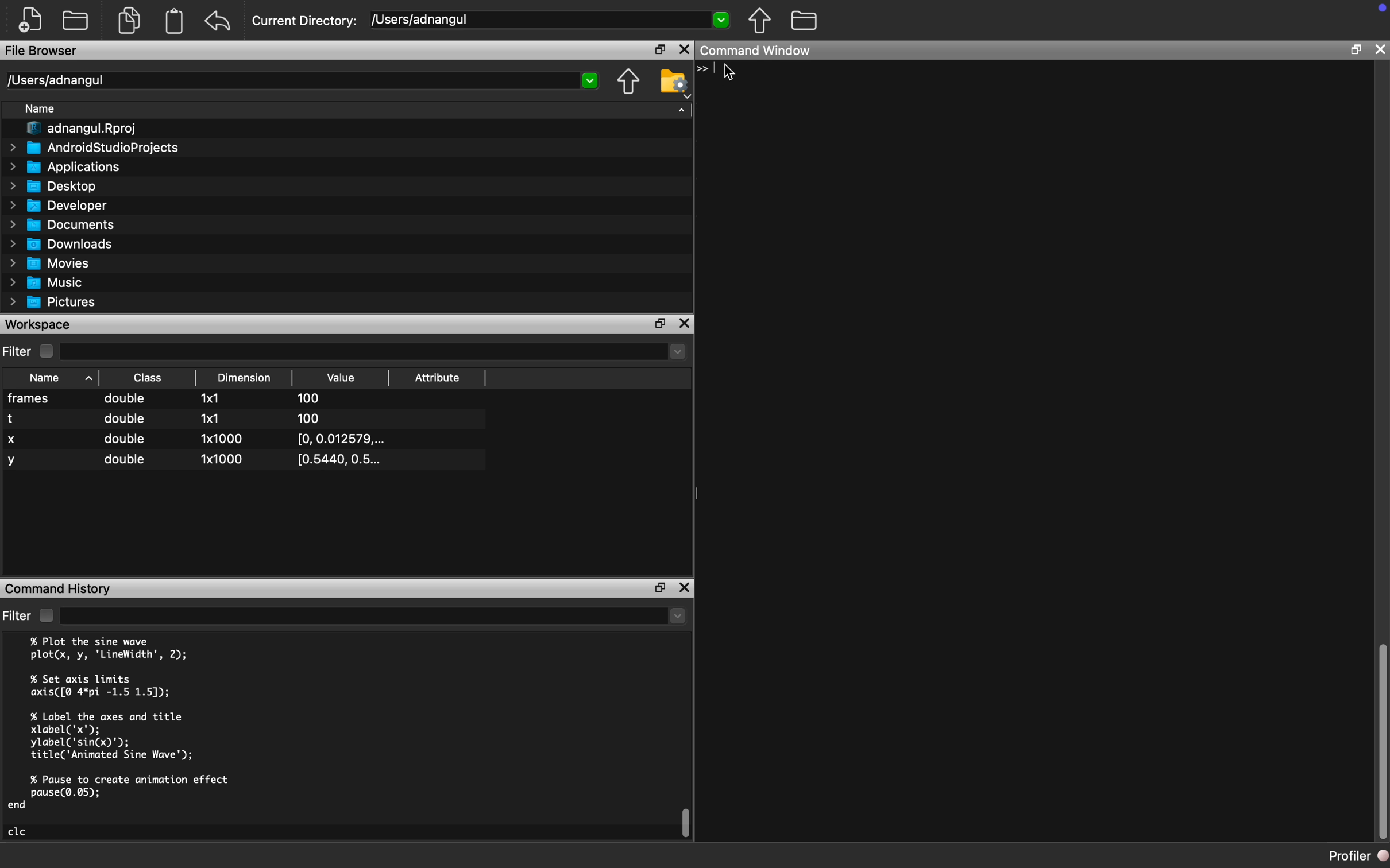 The width and height of the screenshot is (1390, 868). Describe the element at coordinates (306, 21) in the screenshot. I see `Current Directory:` at that location.